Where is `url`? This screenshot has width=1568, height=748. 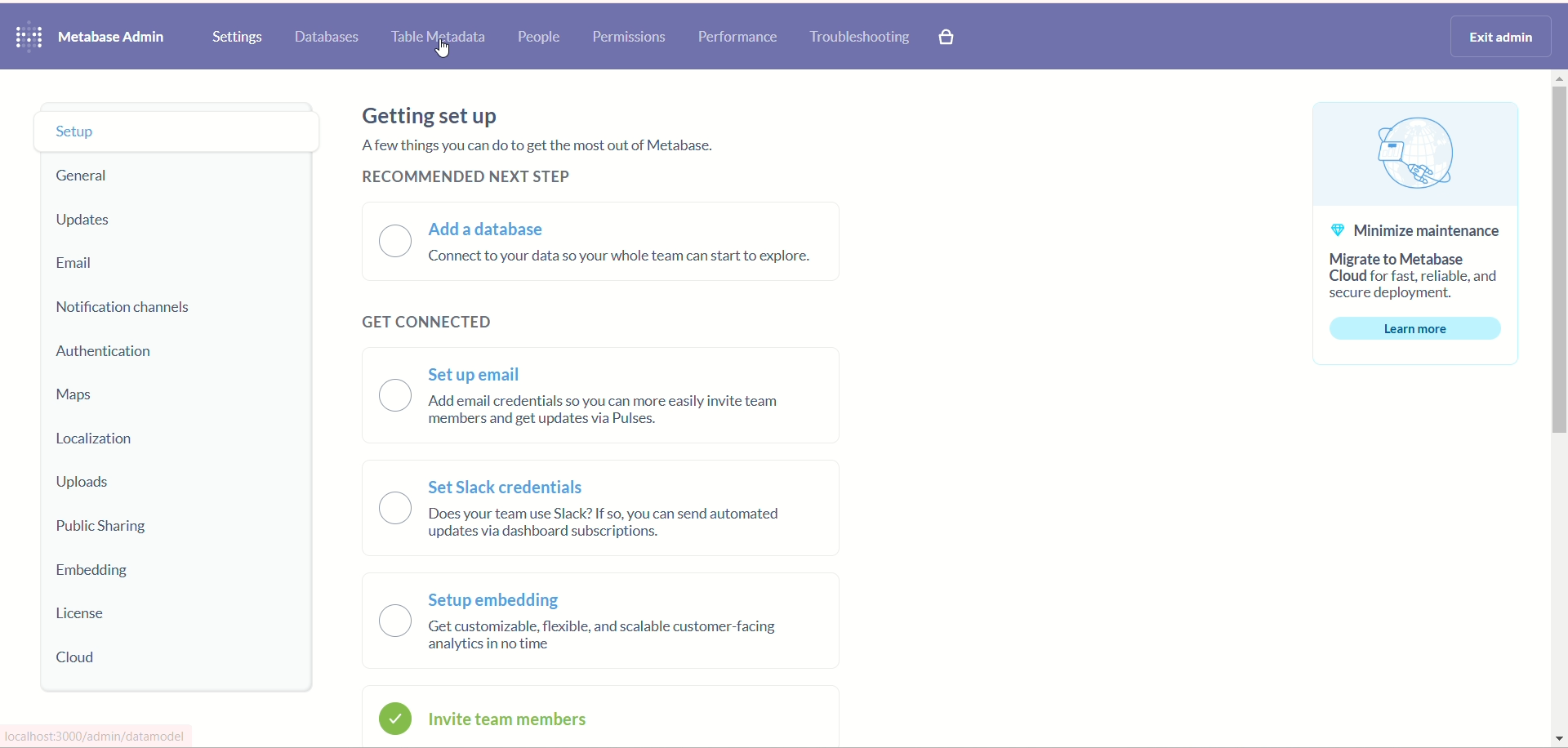
url is located at coordinates (100, 736).